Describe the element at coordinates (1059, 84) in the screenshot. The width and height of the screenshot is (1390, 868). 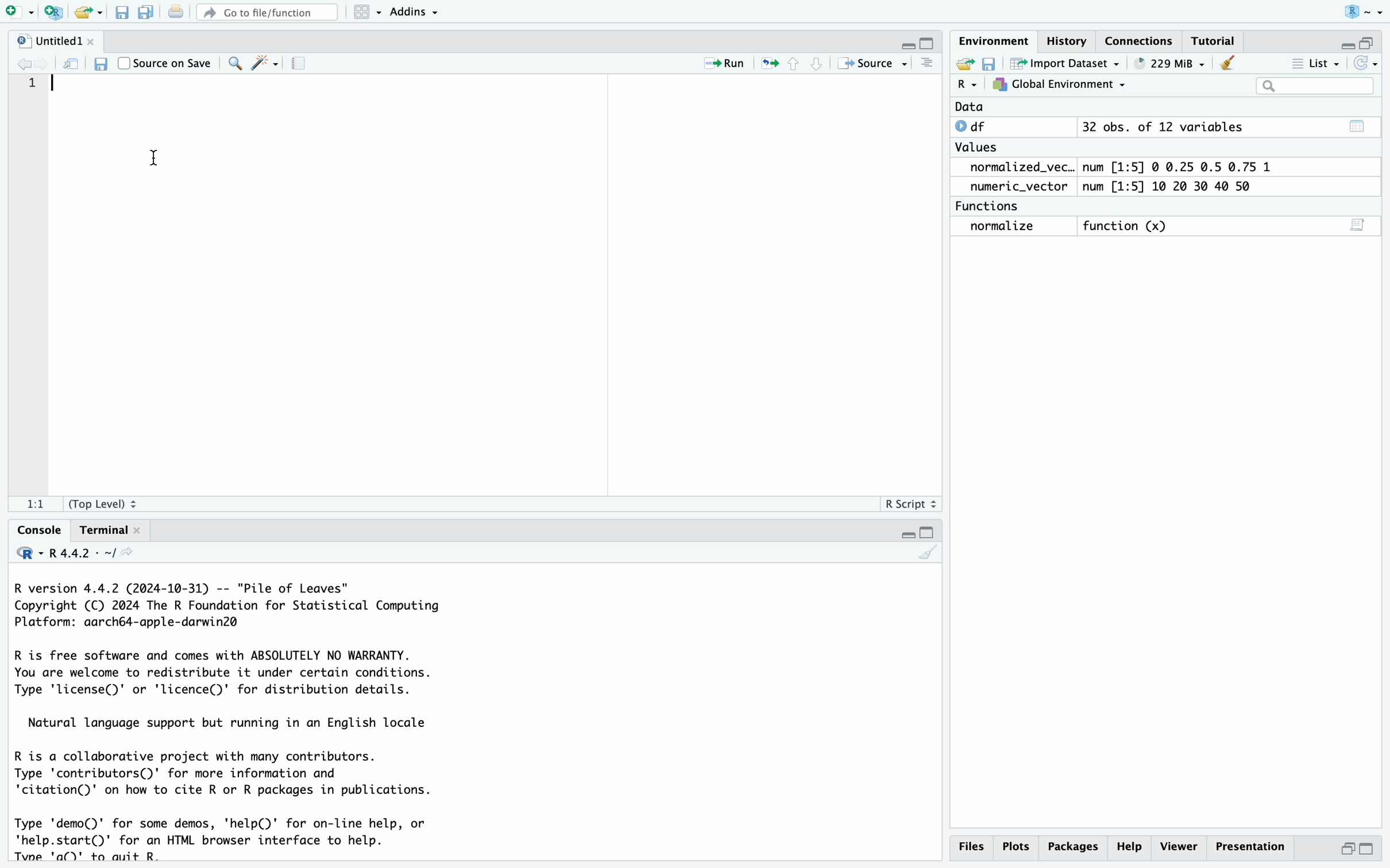
I see `Global Environment` at that location.